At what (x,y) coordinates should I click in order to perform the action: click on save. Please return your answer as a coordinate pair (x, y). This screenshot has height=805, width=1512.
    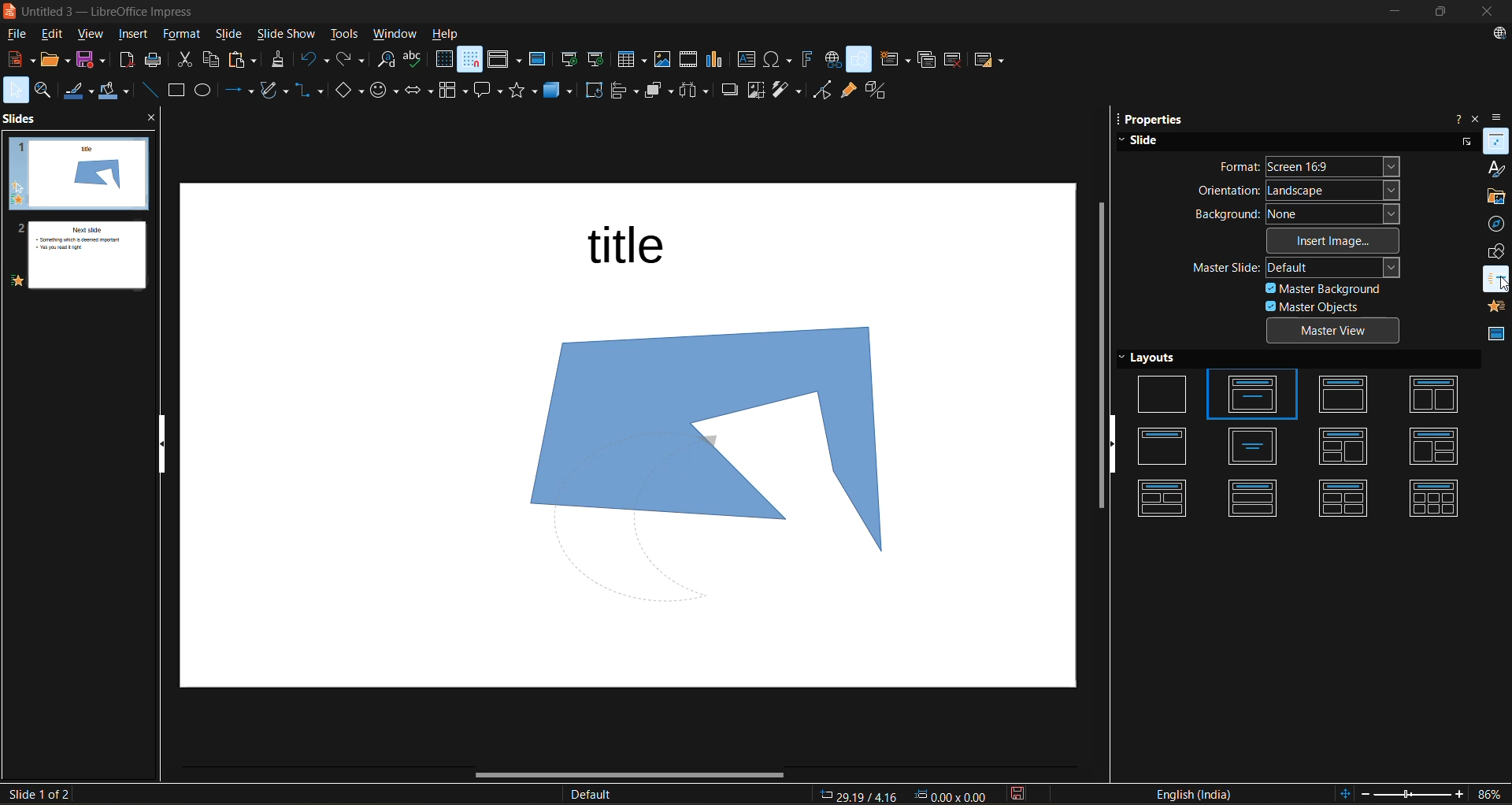
    Looking at the image, I should click on (94, 61).